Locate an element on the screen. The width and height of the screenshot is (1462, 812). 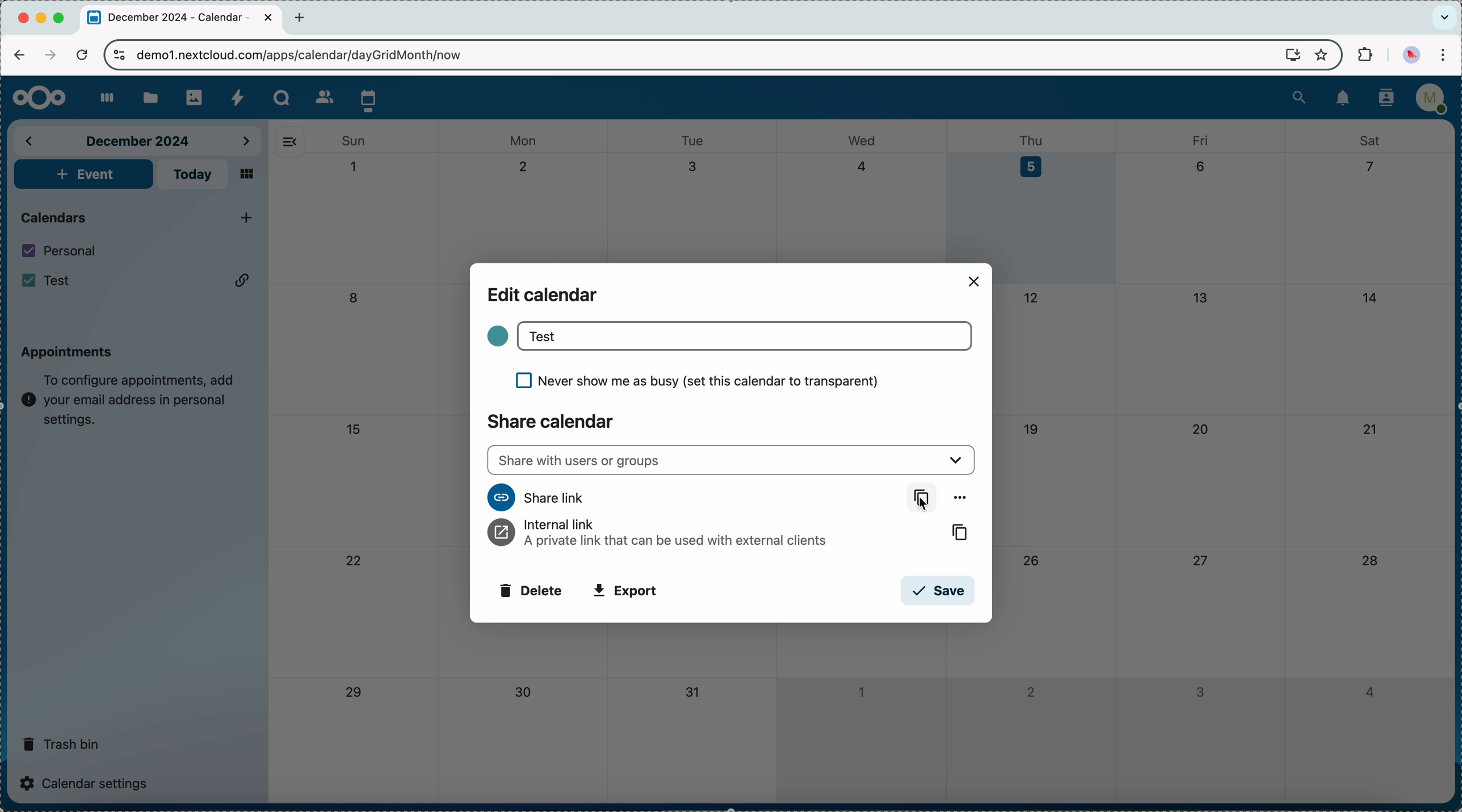
note is located at coordinates (129, 396).